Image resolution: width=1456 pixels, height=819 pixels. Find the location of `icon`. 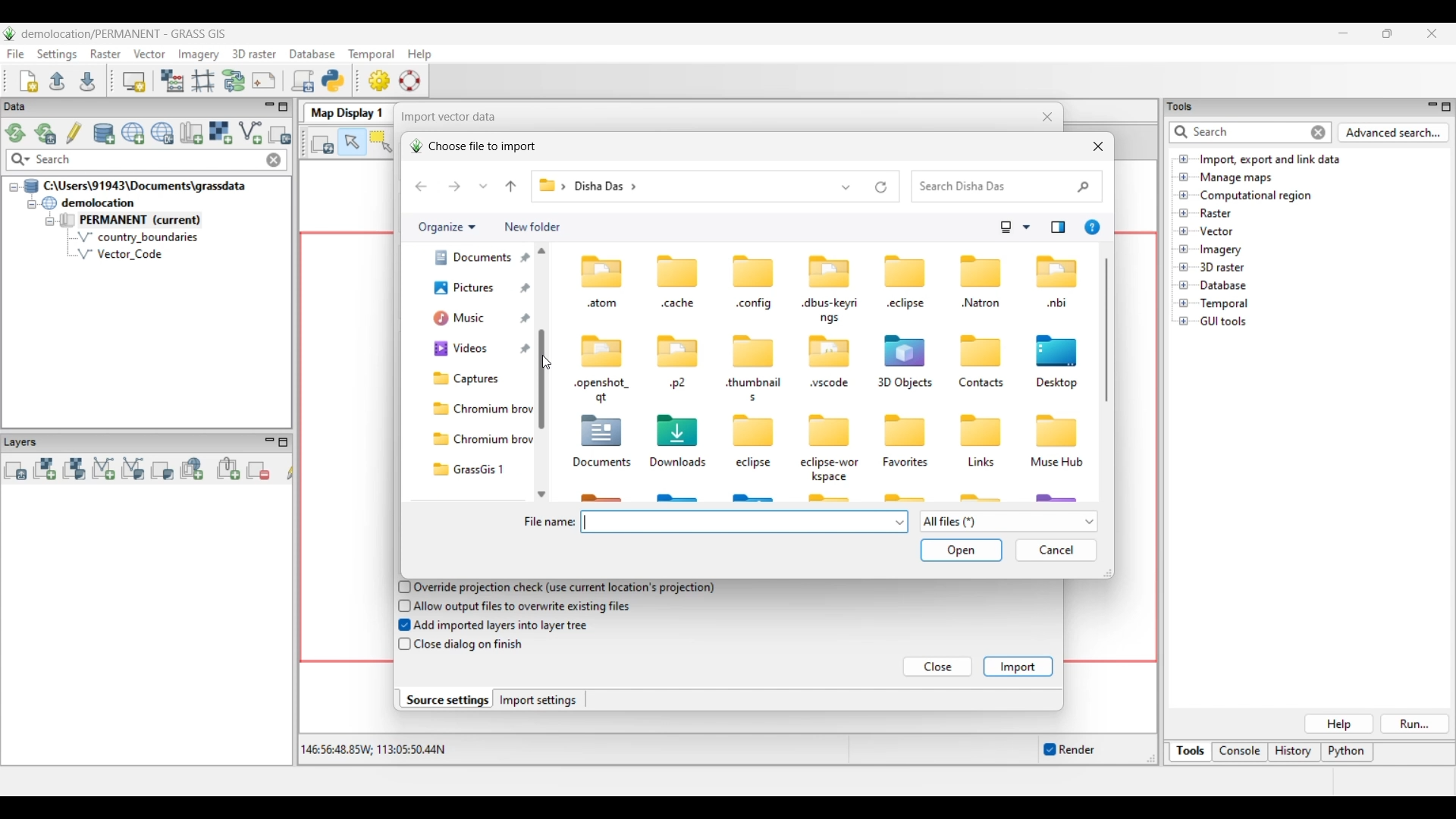

icon is located at coordinates (908, 350).